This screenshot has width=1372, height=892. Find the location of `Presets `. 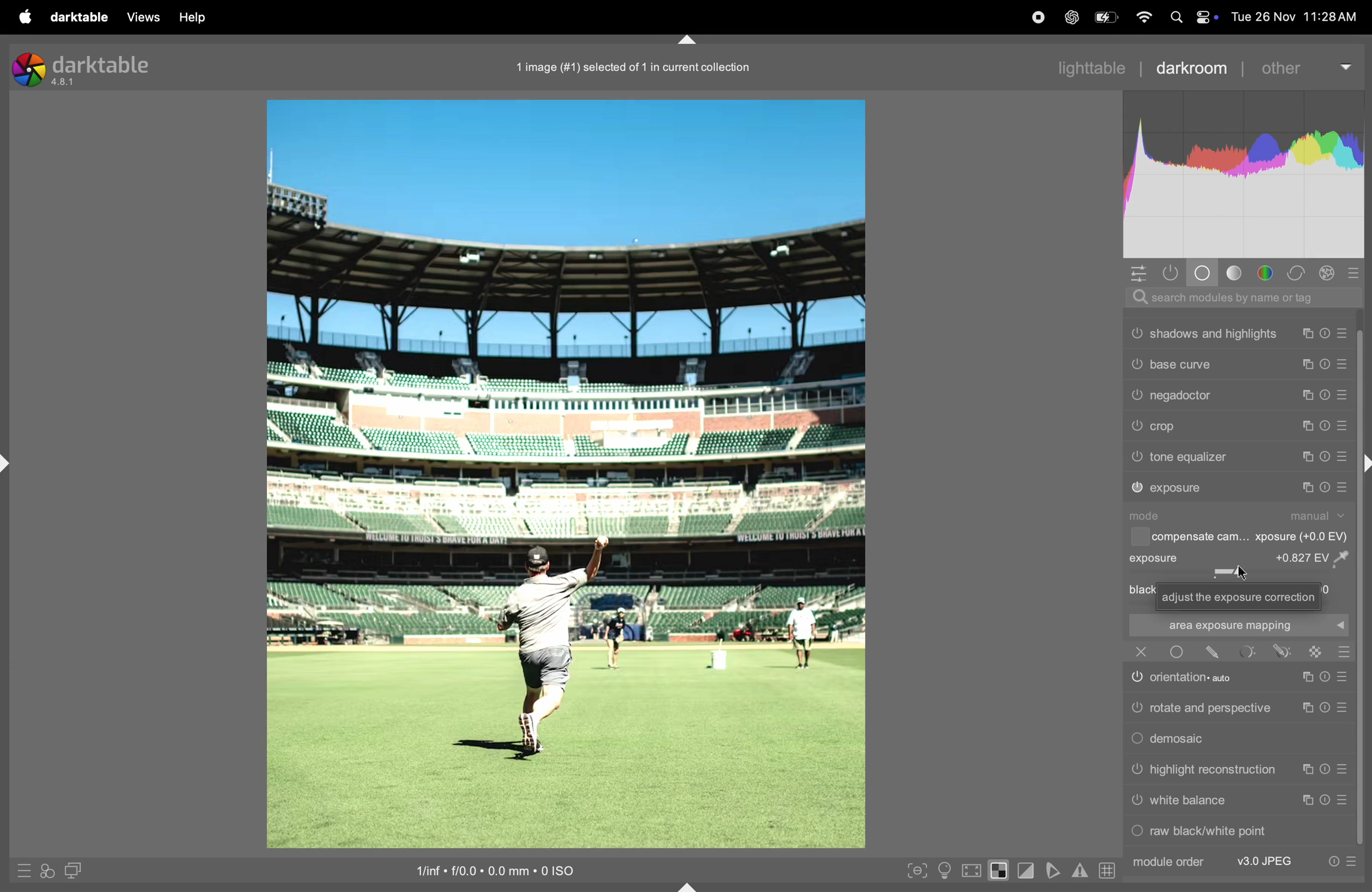

Presets  is located at coordinates (1343, 487).